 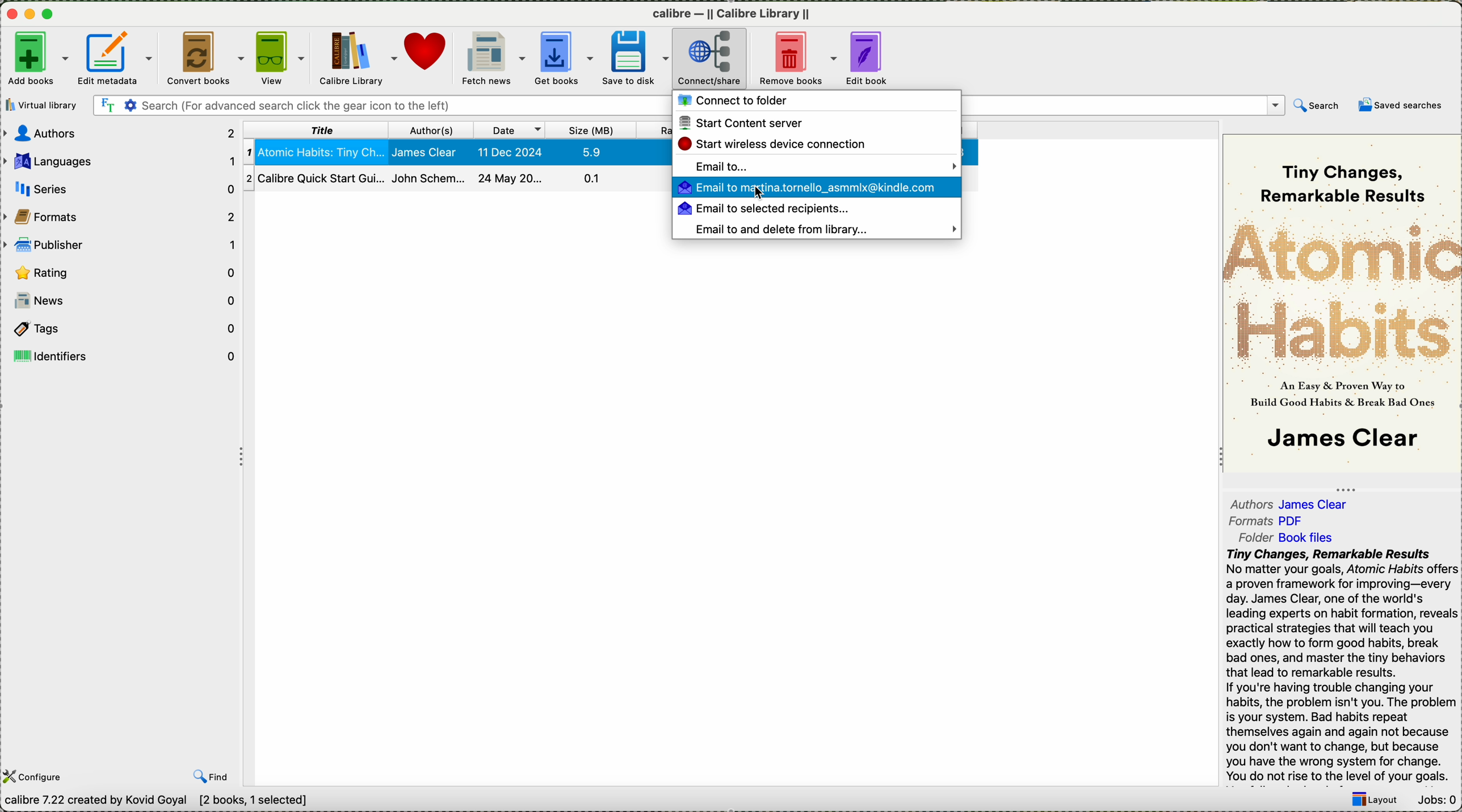 I want to click on view, so click(x=283, y=57).